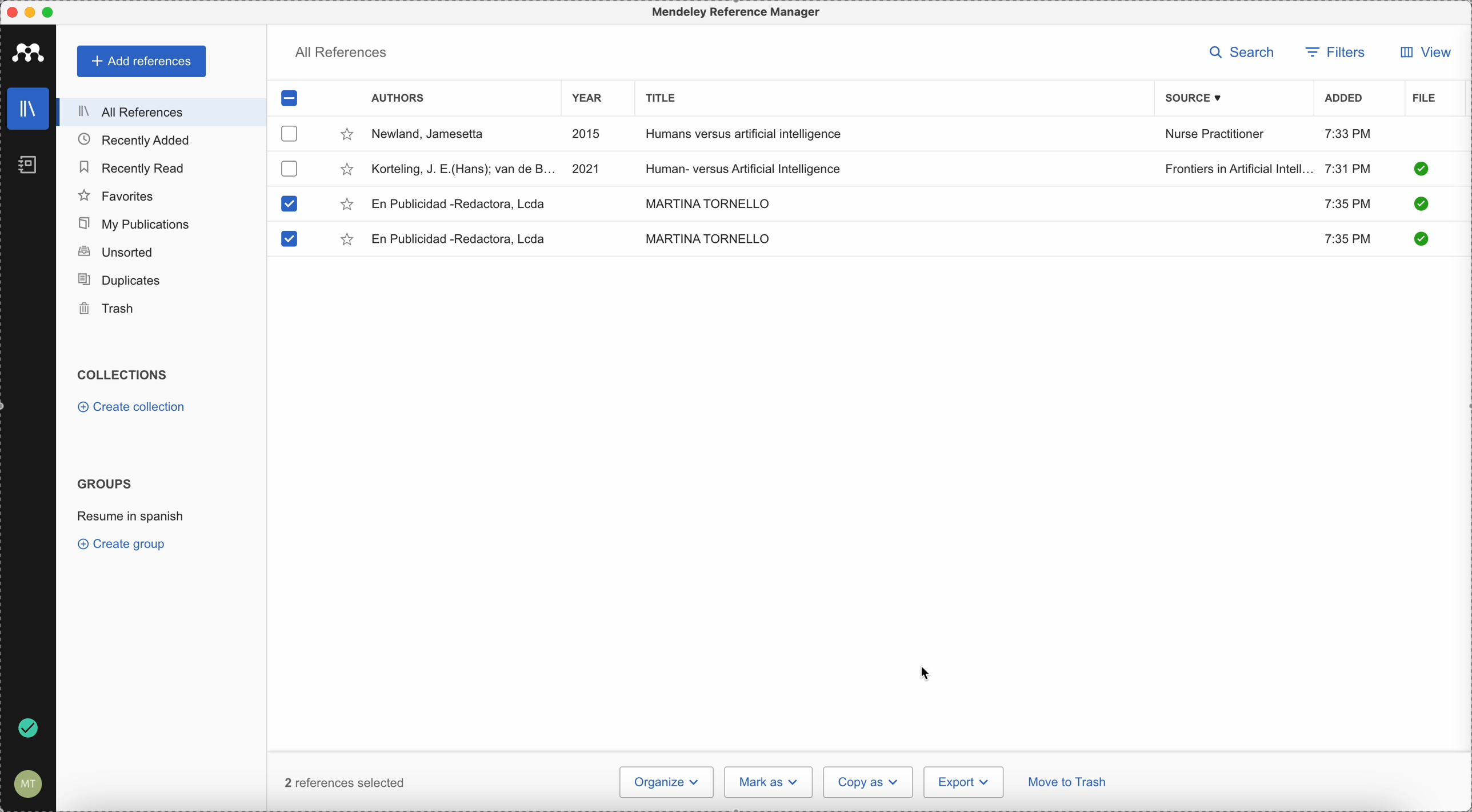  What do you see at coordinates (158, 112) in the screenshot?
I see `all references` at bounding box center [158, 112].